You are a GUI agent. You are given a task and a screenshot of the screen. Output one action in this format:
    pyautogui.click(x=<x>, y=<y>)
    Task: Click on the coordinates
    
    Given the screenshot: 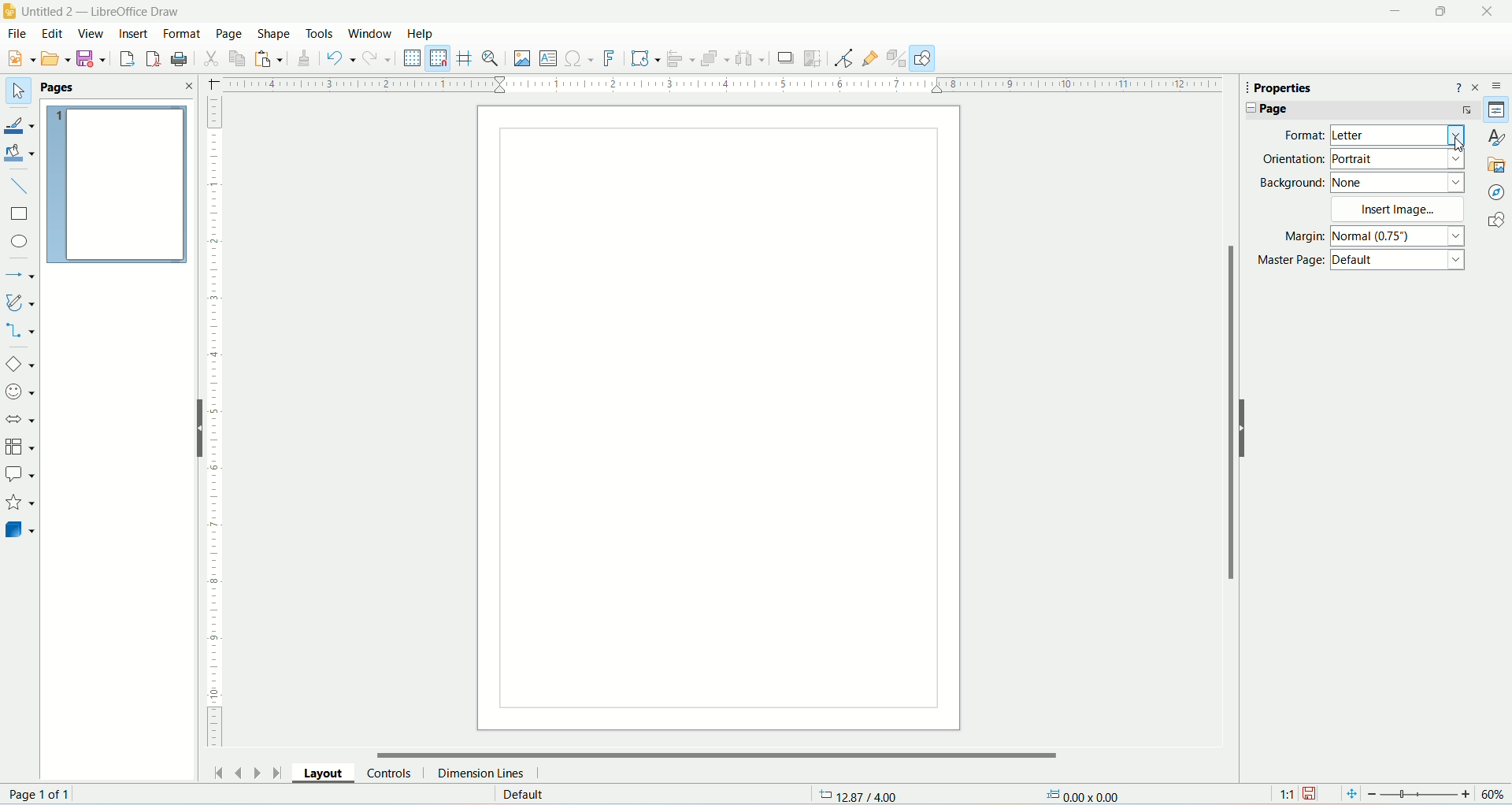 What is the action you would take?
    pyautogui.click(x=853, y=794)
    